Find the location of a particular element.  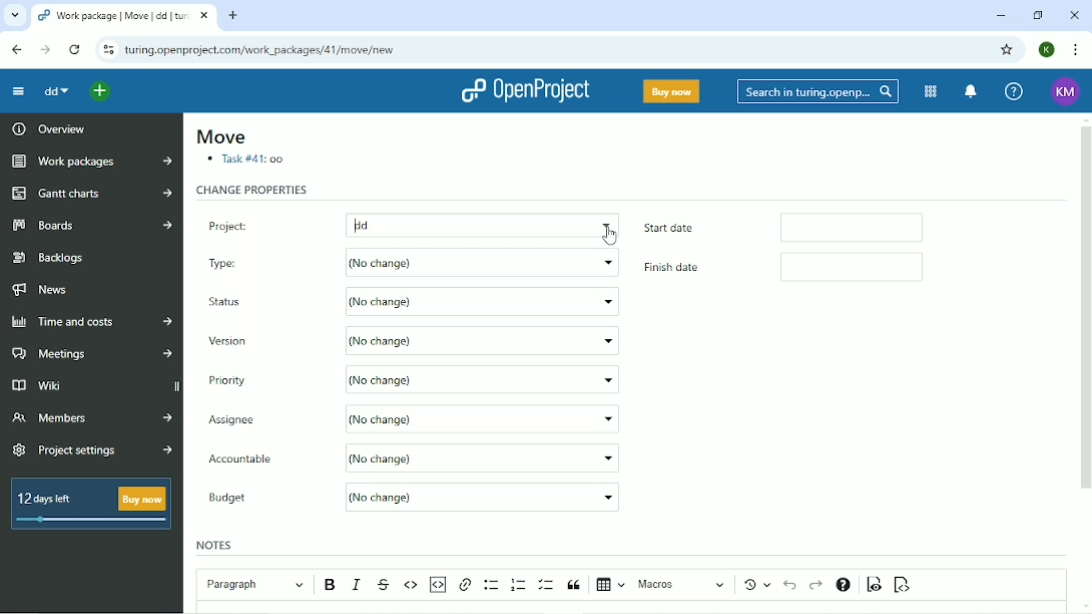

Text formatting help is located at coordinates (843, 586).